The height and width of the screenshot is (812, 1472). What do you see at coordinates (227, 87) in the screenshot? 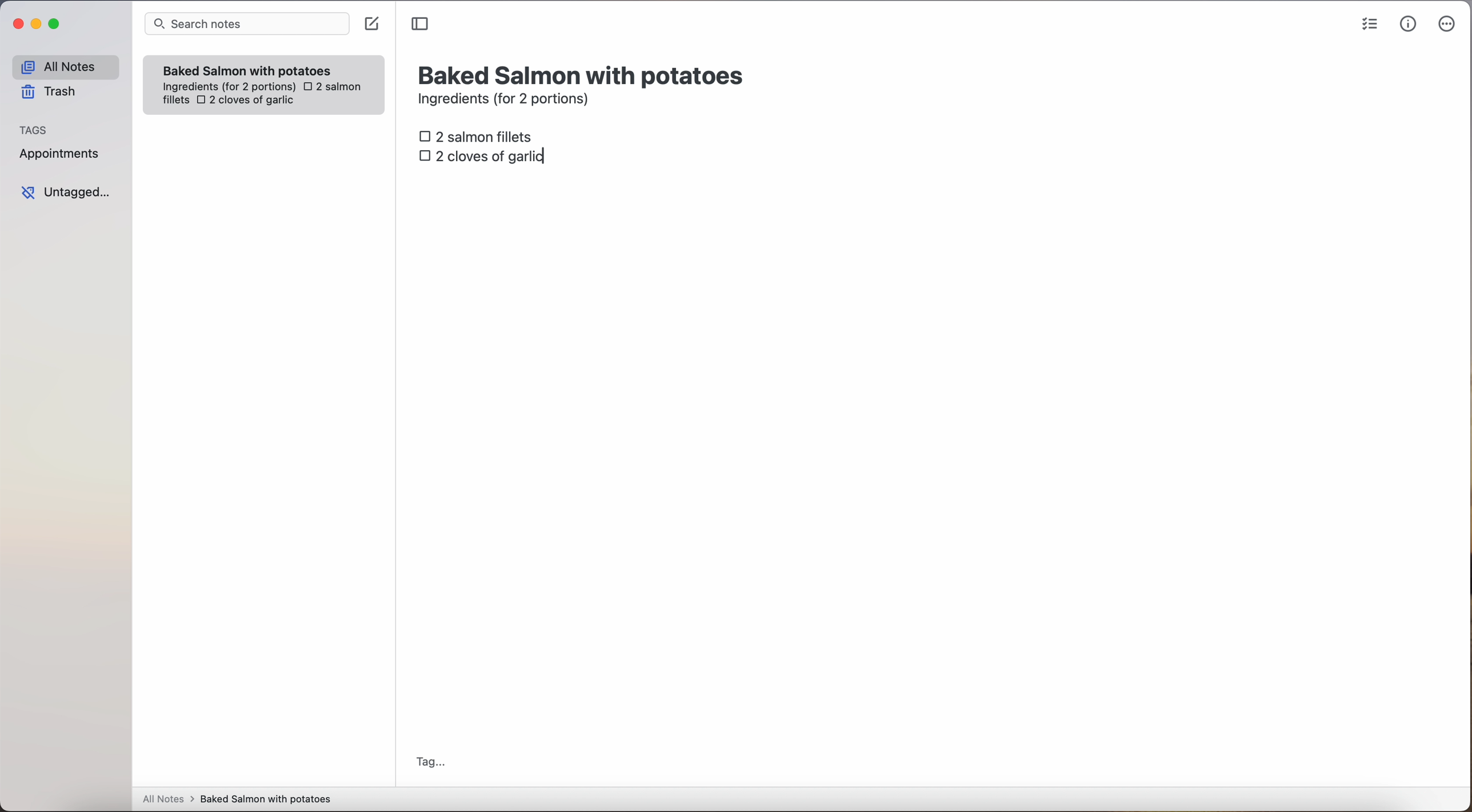
I see `ingredientes (for 2 portions)` at bounding box center [227, 87].